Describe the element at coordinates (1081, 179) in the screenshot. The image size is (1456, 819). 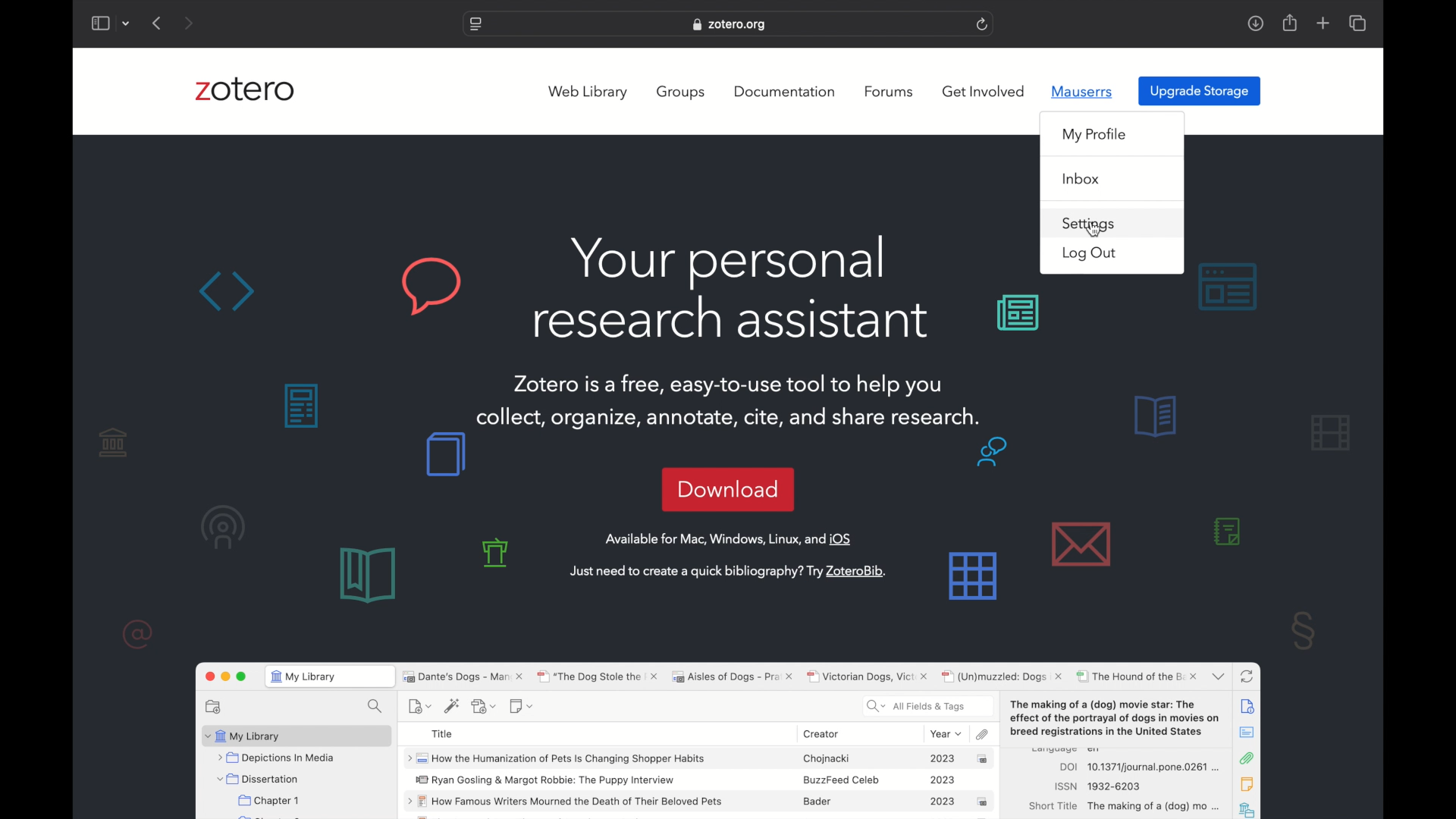
I see `inbox` at that location.